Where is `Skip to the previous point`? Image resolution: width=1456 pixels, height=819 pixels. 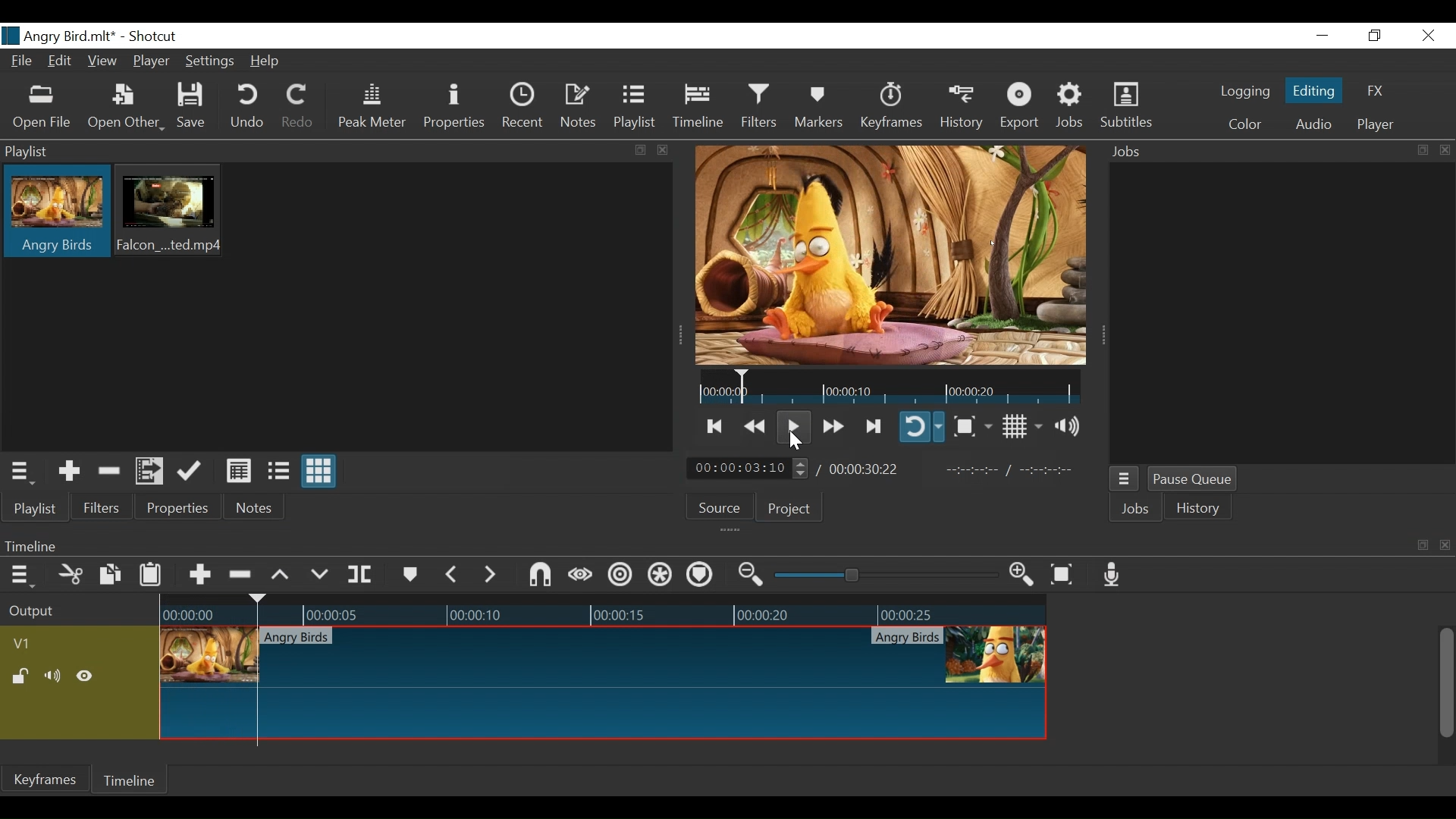
Skip to the previous point is located at coordinates (715, 425).